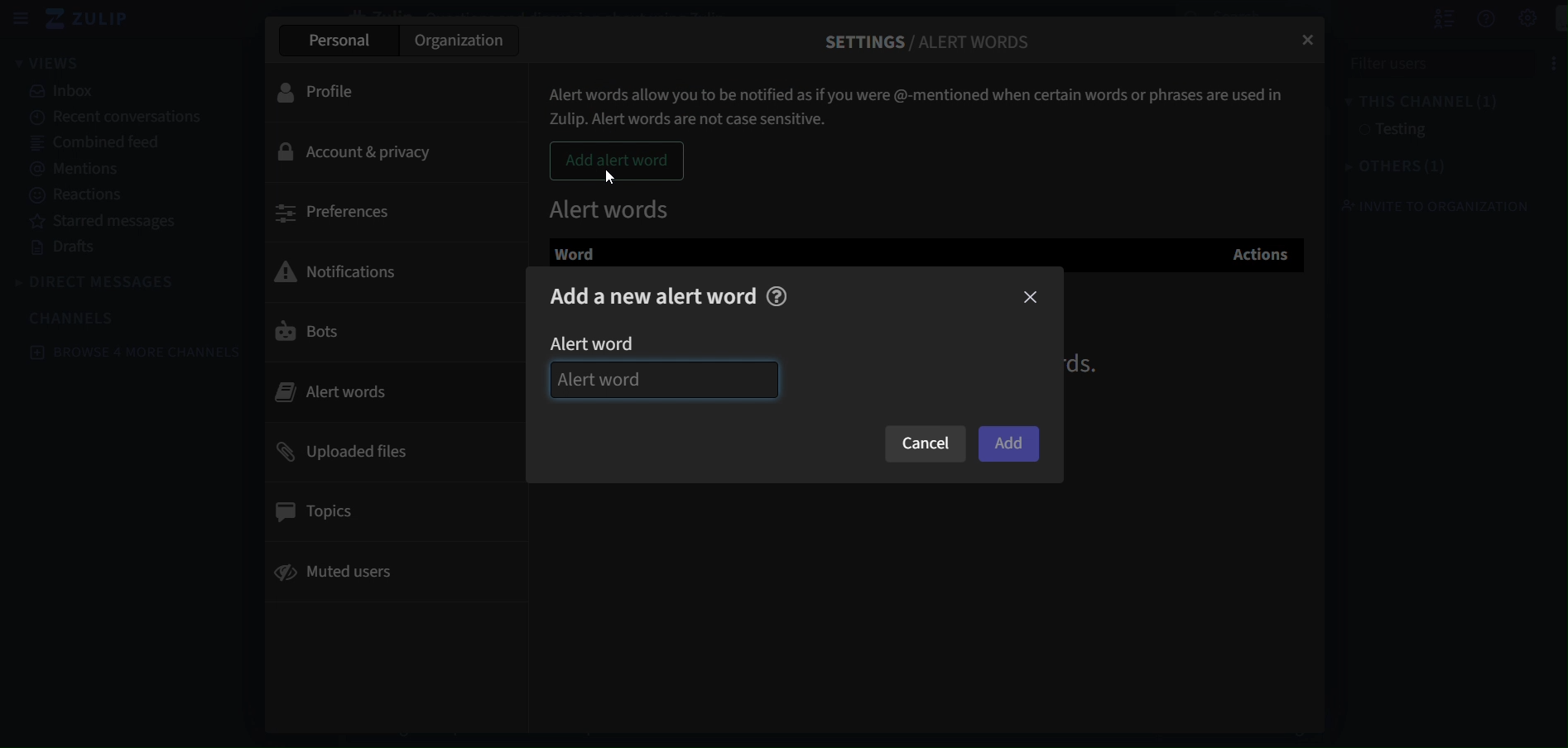  Describe the element at coordinates (339, 575) in the screenshot. I see `muted users` at that location.